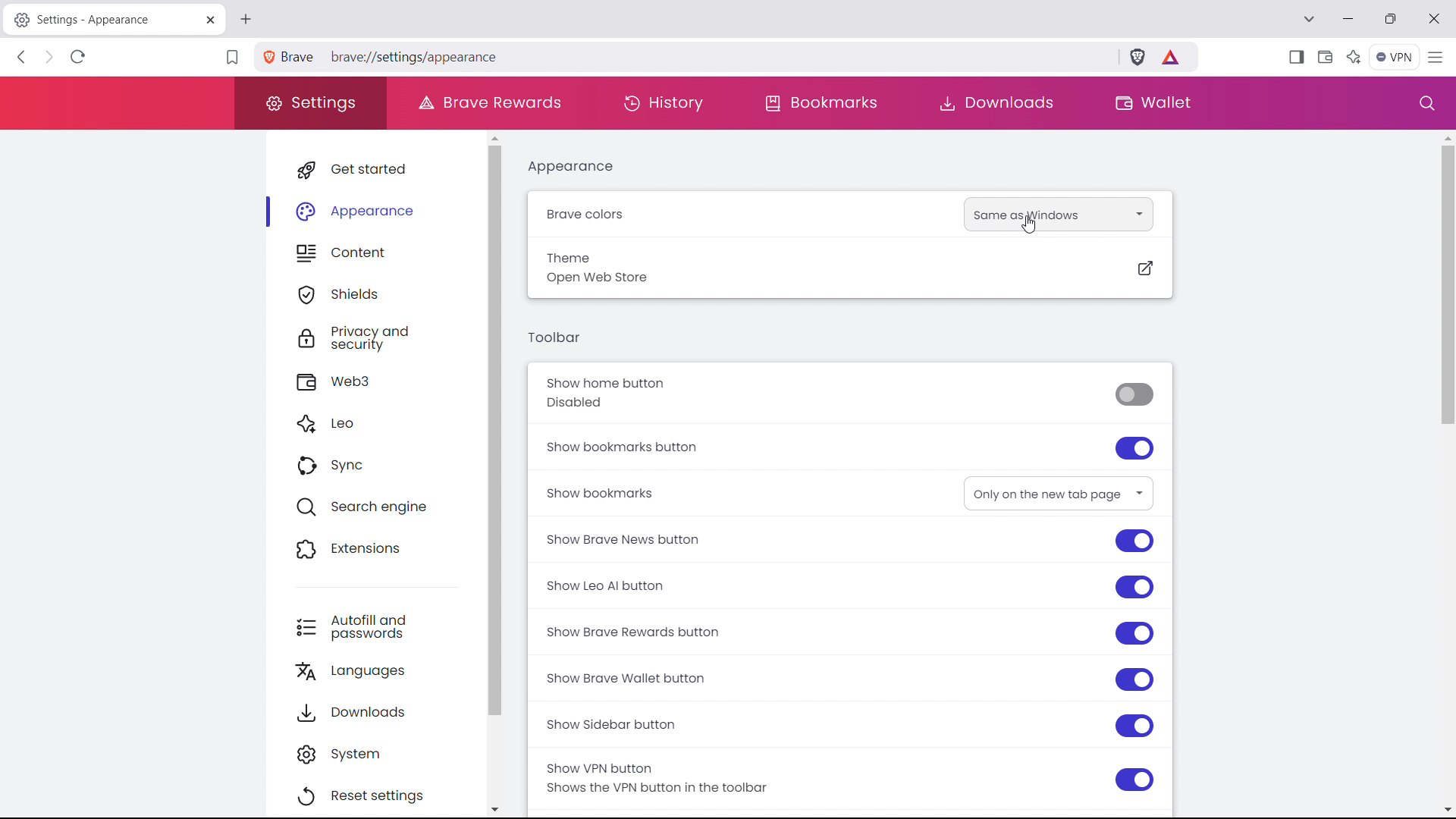  What do you see at coordinates (387, 250) in the screenshot?
I see `content` at bounding box center [387, 250].